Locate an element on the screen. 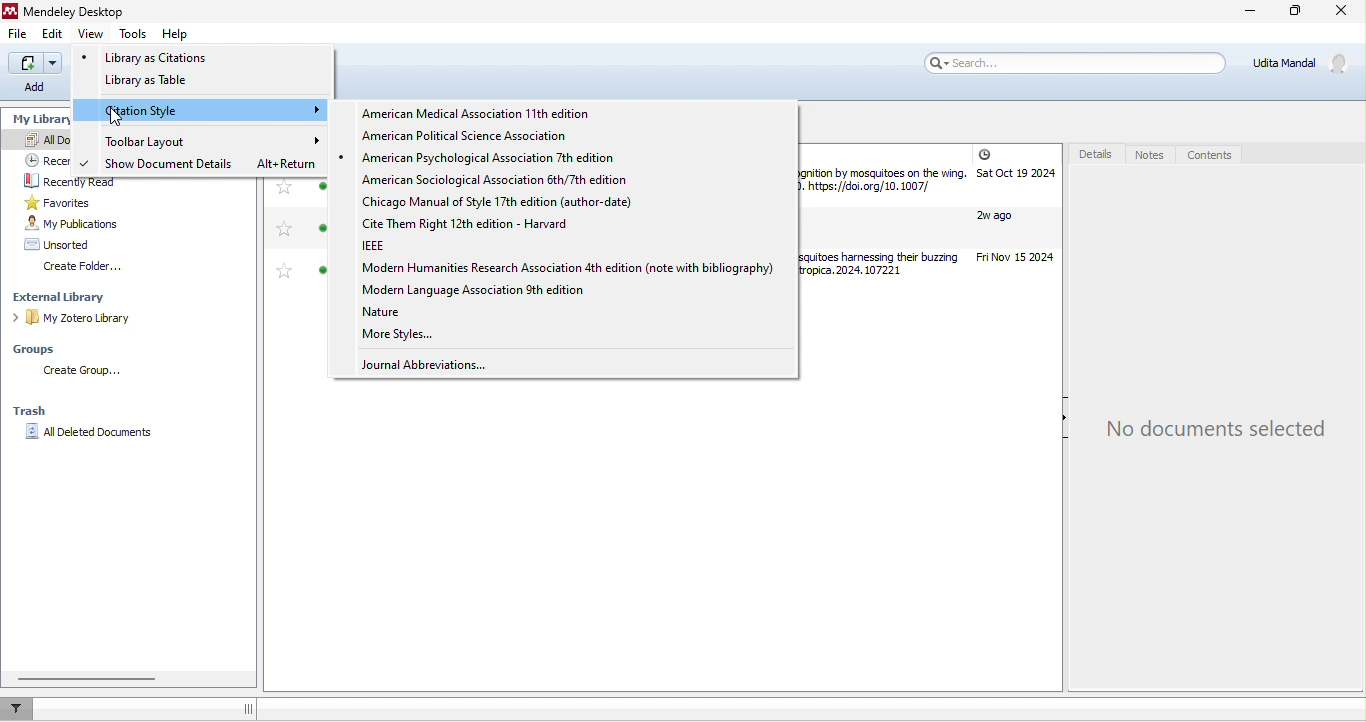  Mendeley Desktop is located at coordinates (77, 10).